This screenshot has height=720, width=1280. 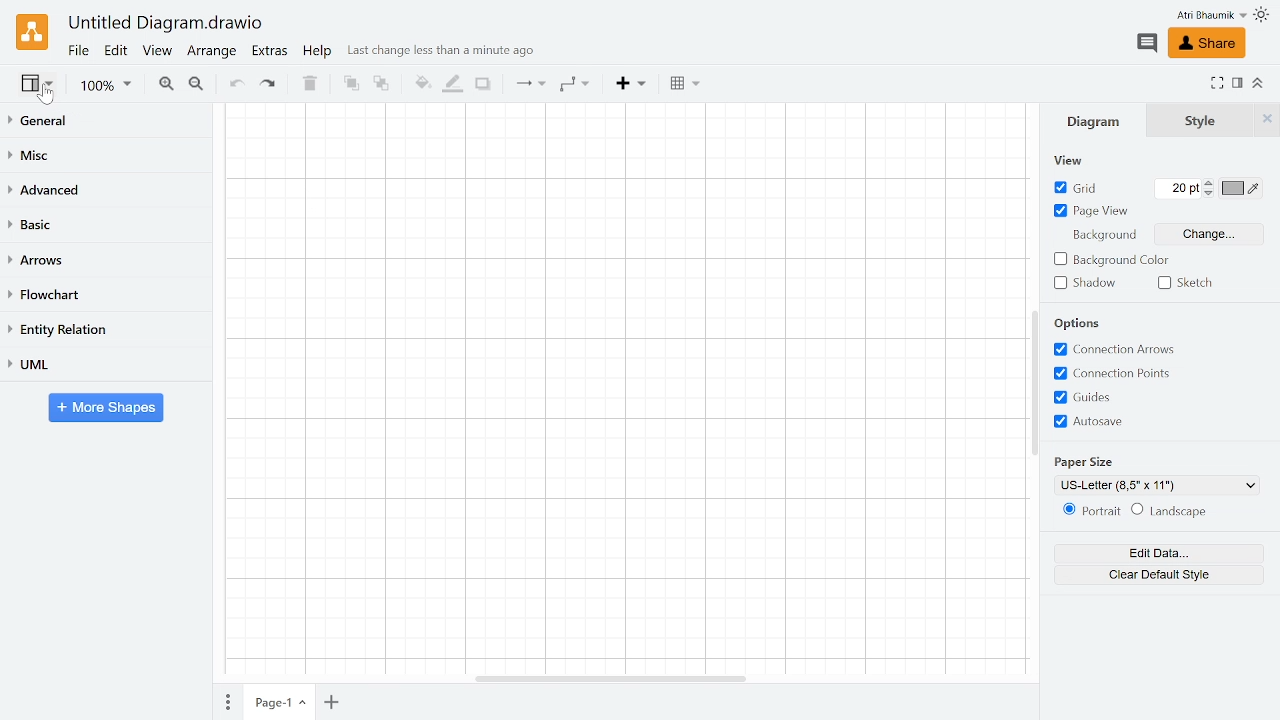 What do you see at coordinates (167, 24) in the screenshot?
I see `Current window` at bounding box center [167, 24].